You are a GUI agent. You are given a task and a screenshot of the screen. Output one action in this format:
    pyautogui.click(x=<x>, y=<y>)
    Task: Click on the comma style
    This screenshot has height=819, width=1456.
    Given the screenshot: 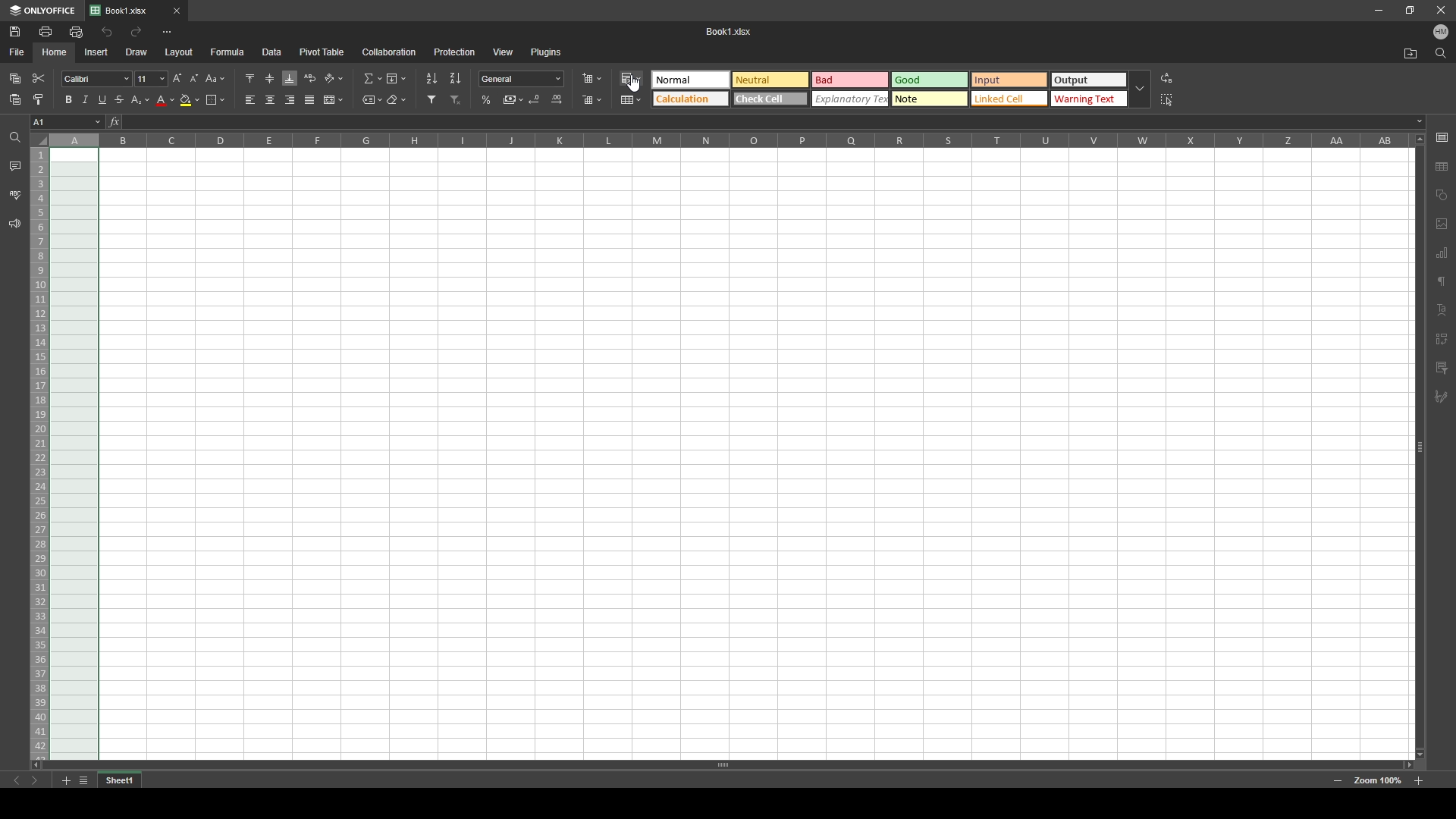 What is the action you would take?
    pyautogui.click(x=513, y=99)
    